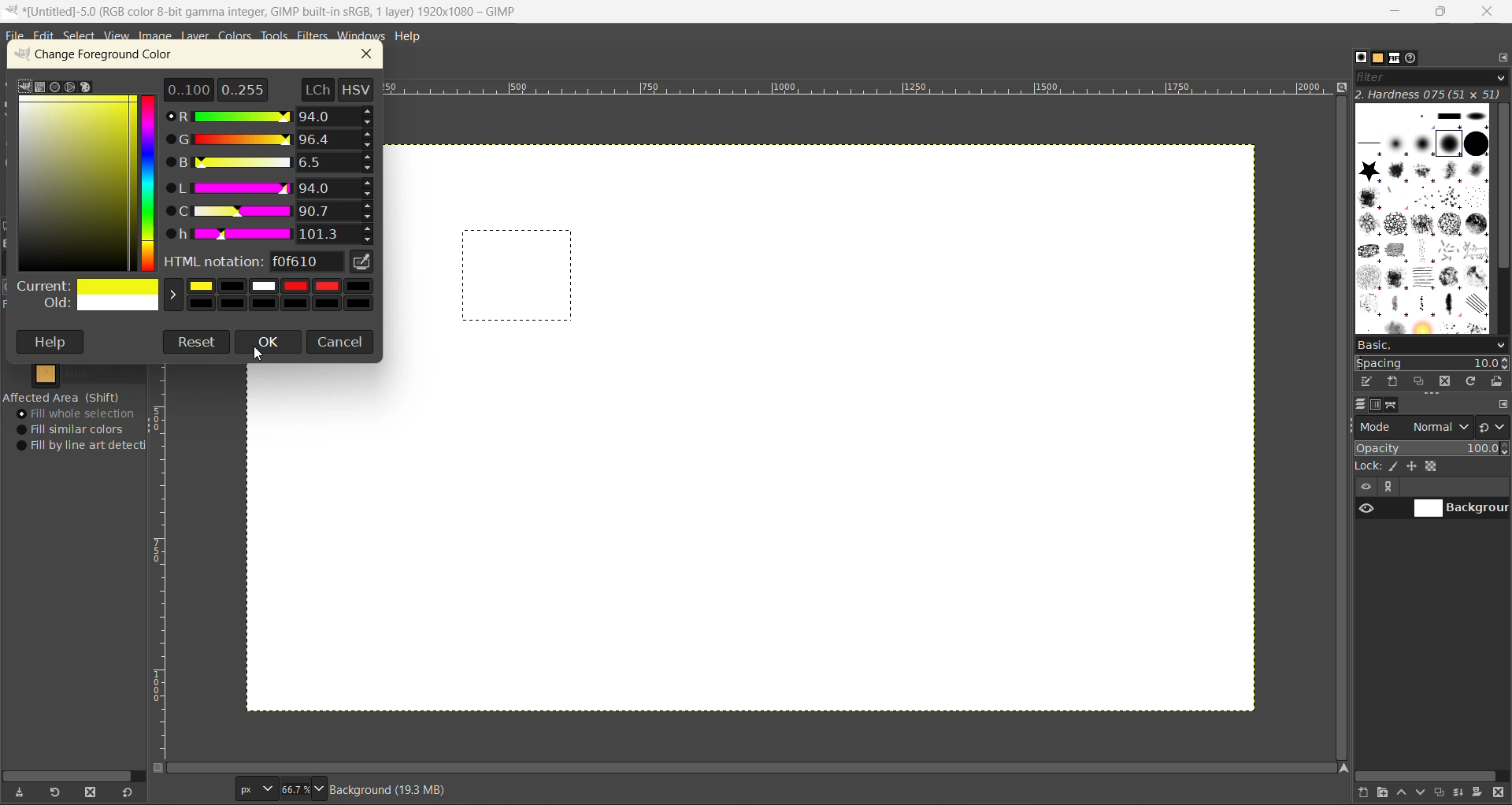 Image resolution: width=1512 pixels, height=805 pixels. What do you see at coordinates (156, 37) in the screenshot?
I see `image` at bounding box center [156, 37].